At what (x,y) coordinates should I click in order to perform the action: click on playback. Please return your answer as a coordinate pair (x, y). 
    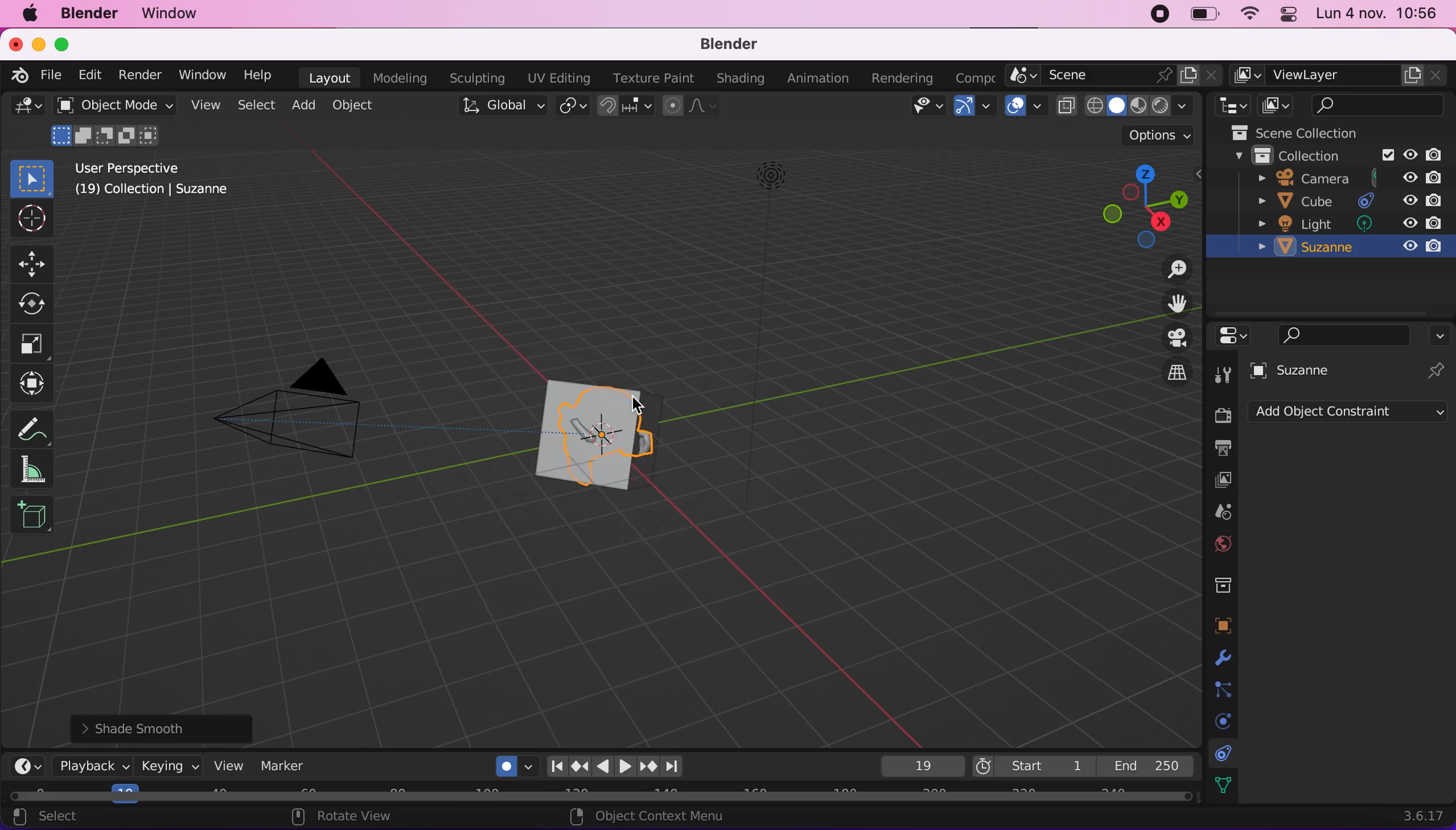
    Looking at the image, I should click on (93, 766).